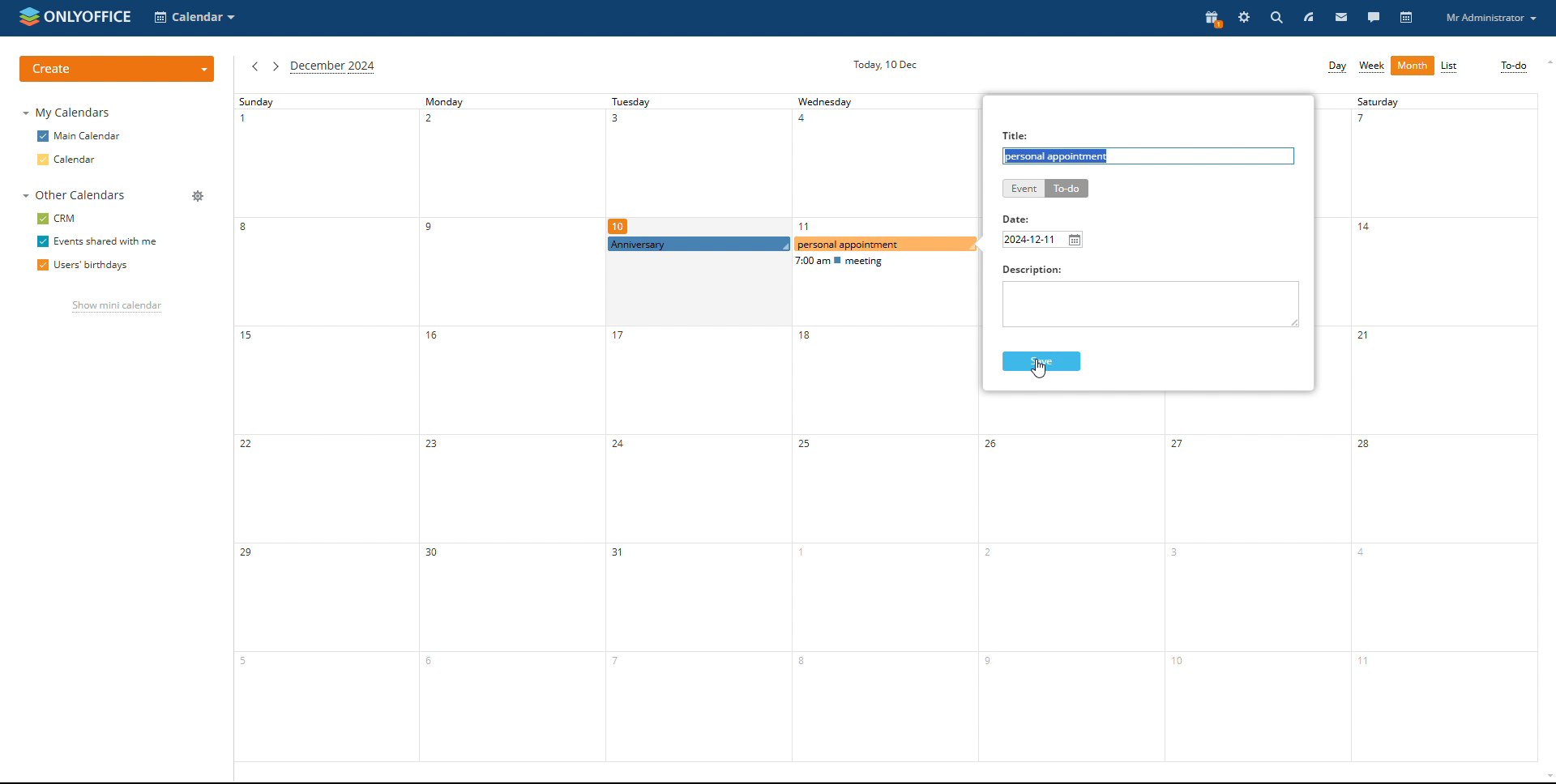  Describe the element at coordinates (1406, 19) in the screenshot. I see `calendar` at that location.